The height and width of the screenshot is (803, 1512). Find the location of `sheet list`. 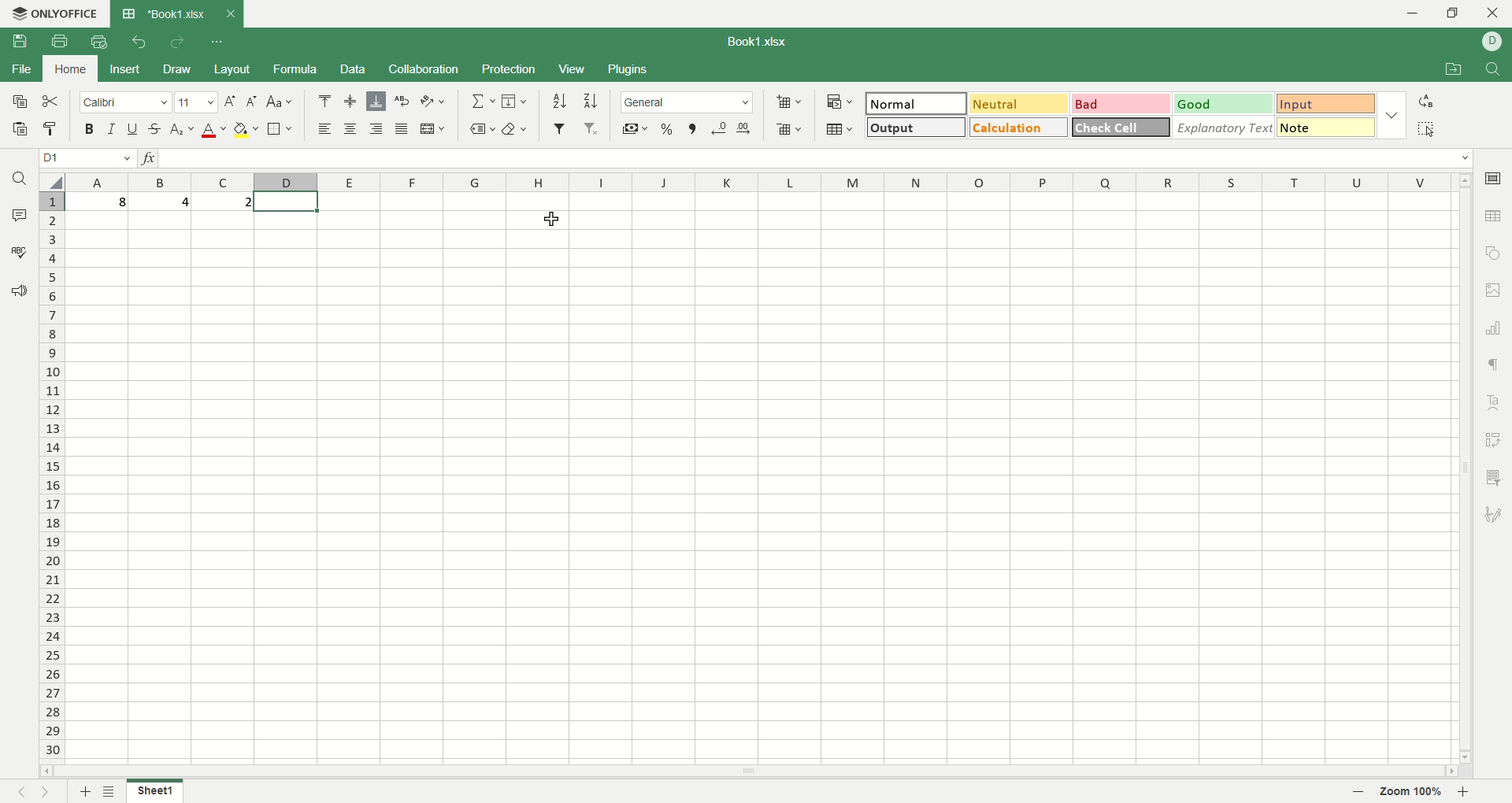

sheet list is located at coordinates (111, 791).